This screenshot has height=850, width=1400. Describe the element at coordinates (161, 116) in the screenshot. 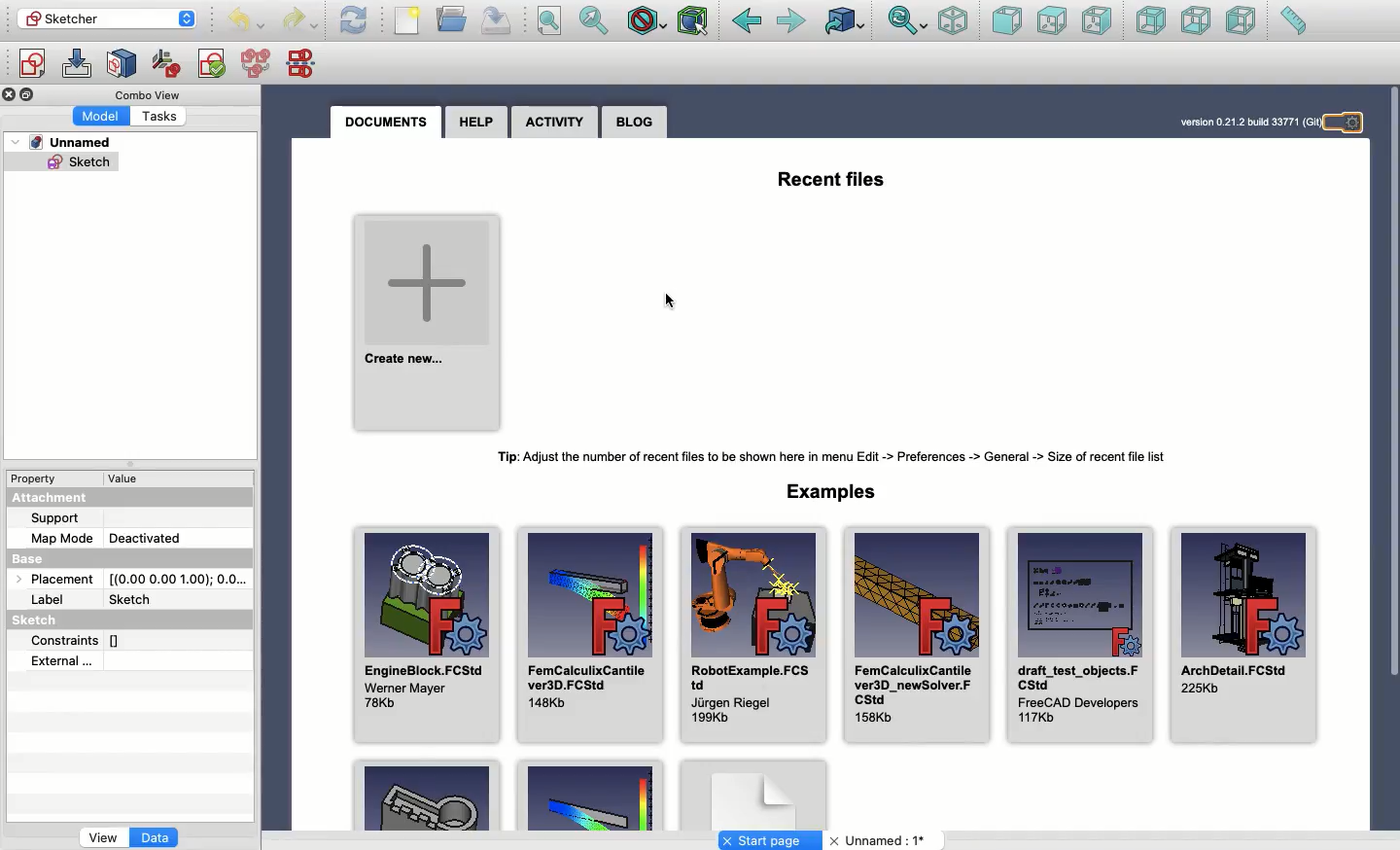

I see `Tasks` at that location.